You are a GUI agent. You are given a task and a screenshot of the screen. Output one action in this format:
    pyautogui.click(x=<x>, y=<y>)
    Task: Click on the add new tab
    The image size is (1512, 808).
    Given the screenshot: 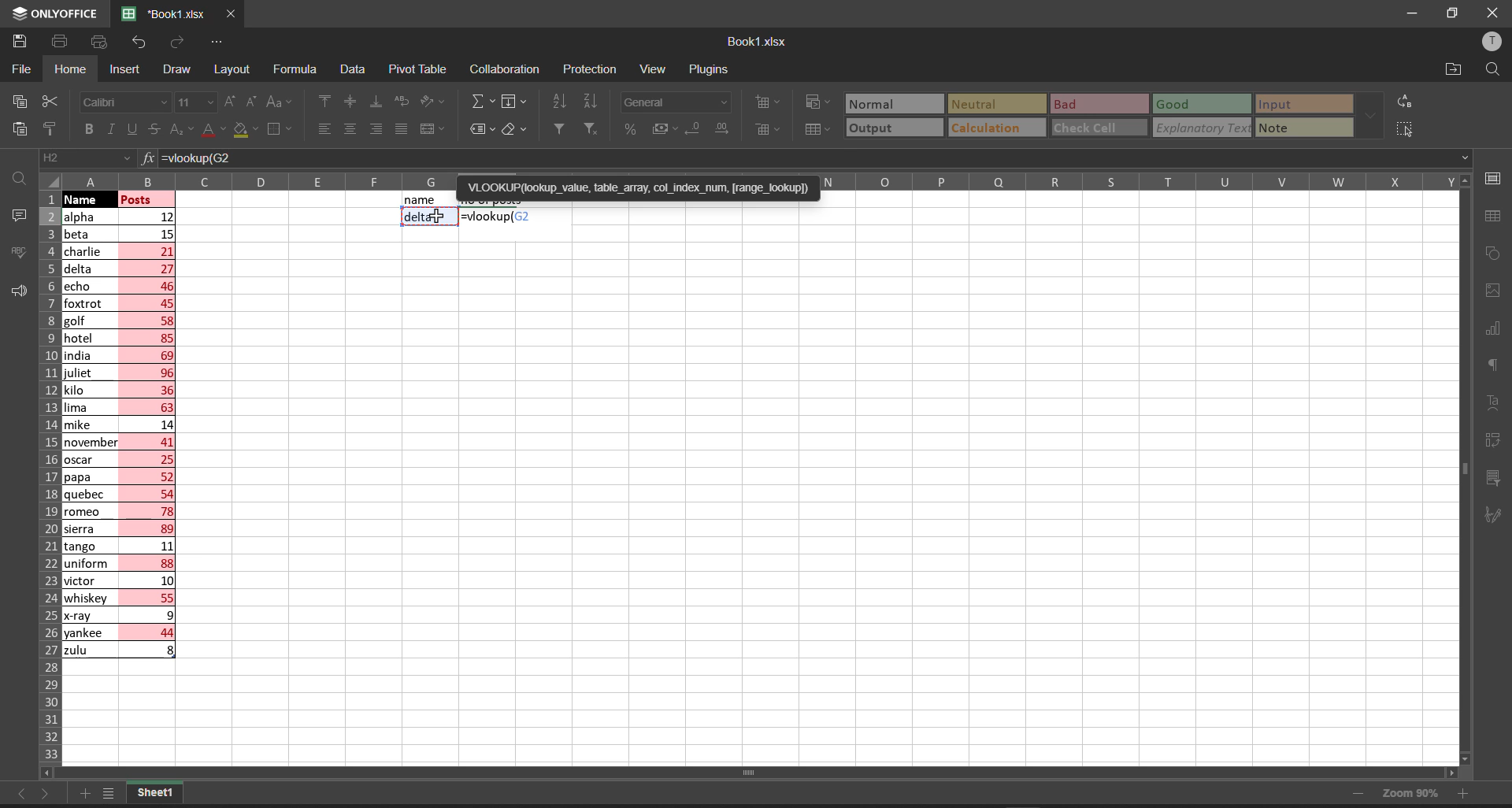 What is the action you would take?
    pyautogui.click(x=87, y=791)
    